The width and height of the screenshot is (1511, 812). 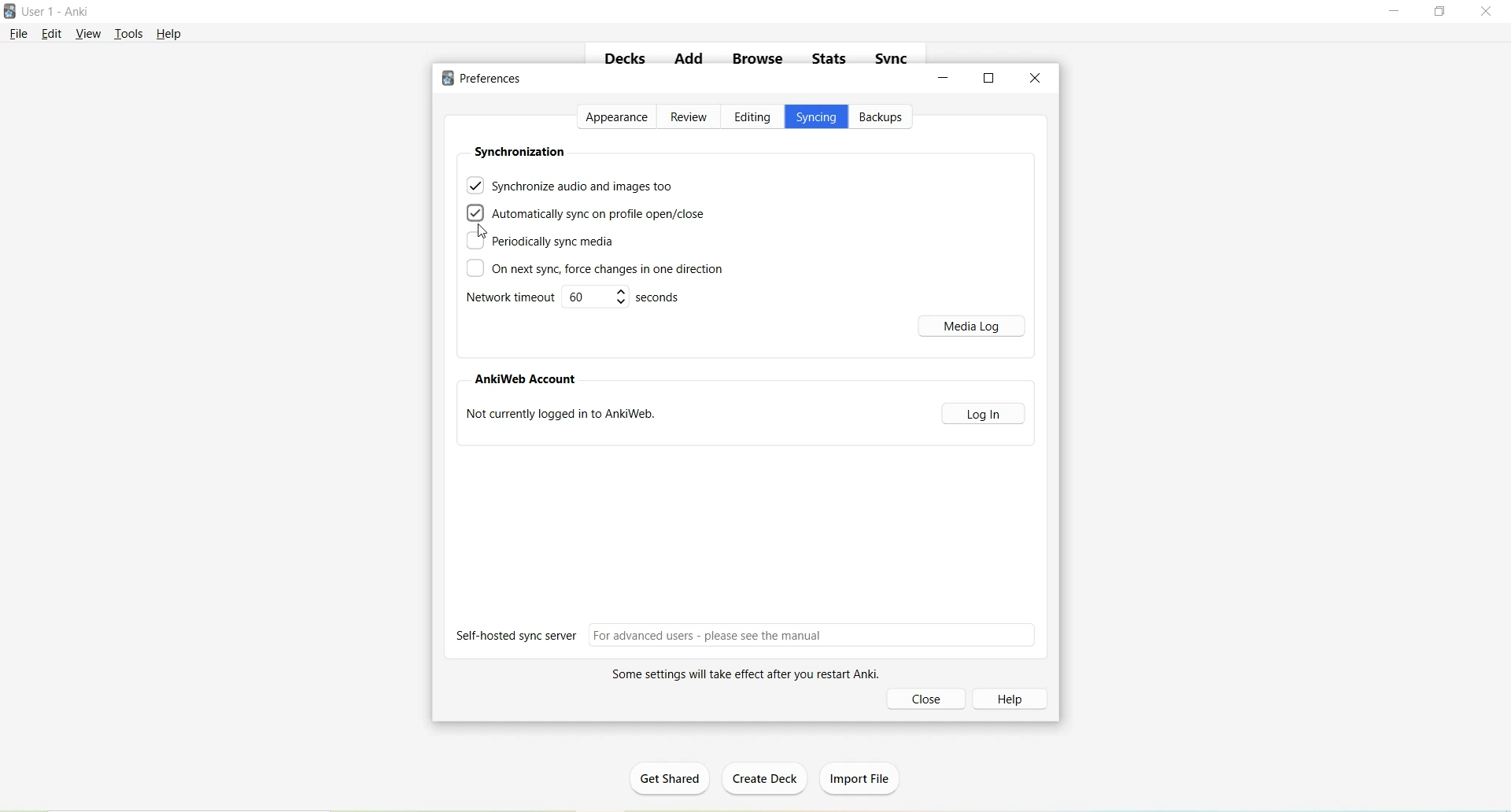 What do you see at coordinates (768, 780) in the screenshot?
I see `Create Deck` at bounding box center [768, 780].